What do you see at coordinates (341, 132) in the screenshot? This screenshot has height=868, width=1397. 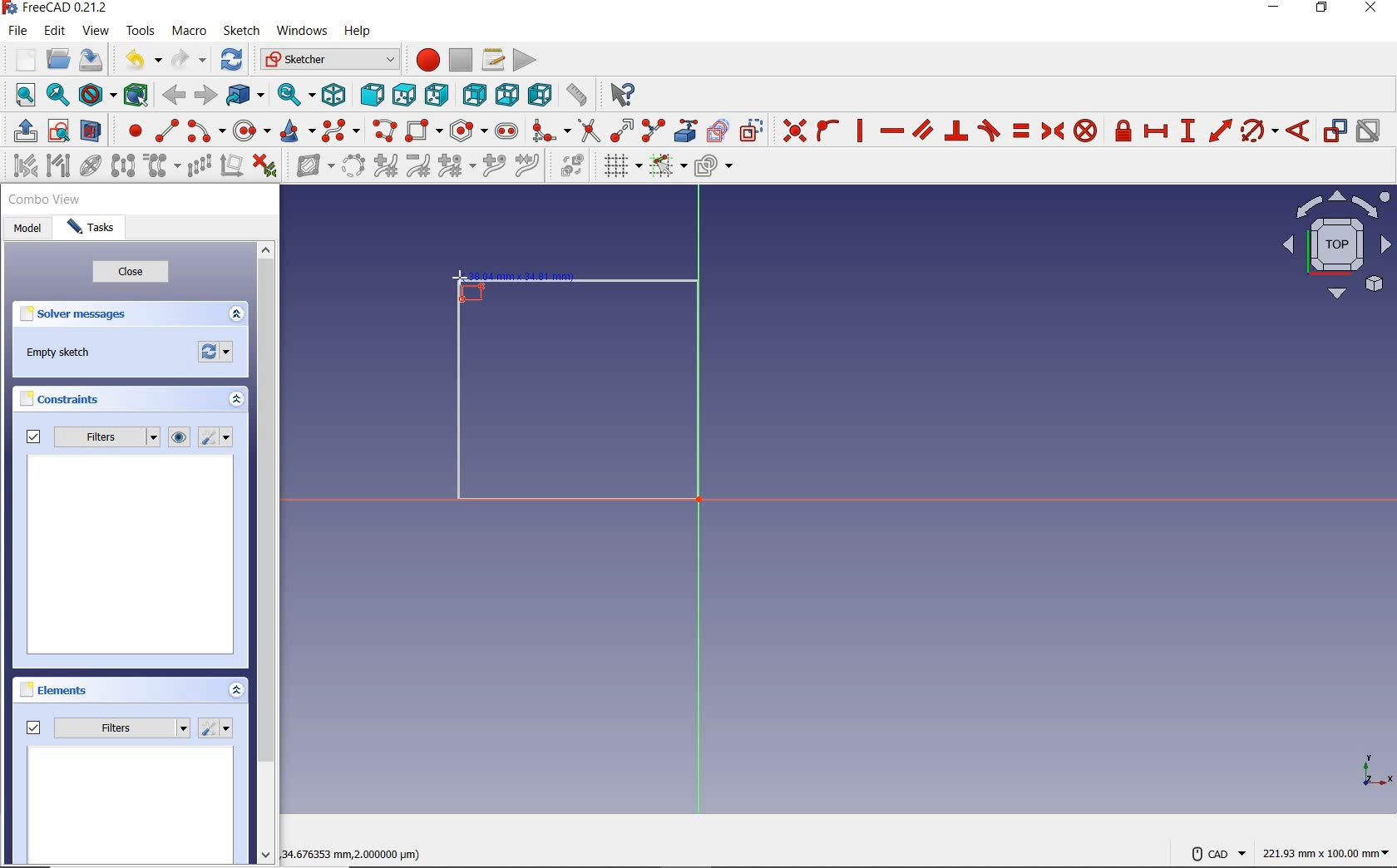 I see `create B-spline` at bounding box center [341, 132].